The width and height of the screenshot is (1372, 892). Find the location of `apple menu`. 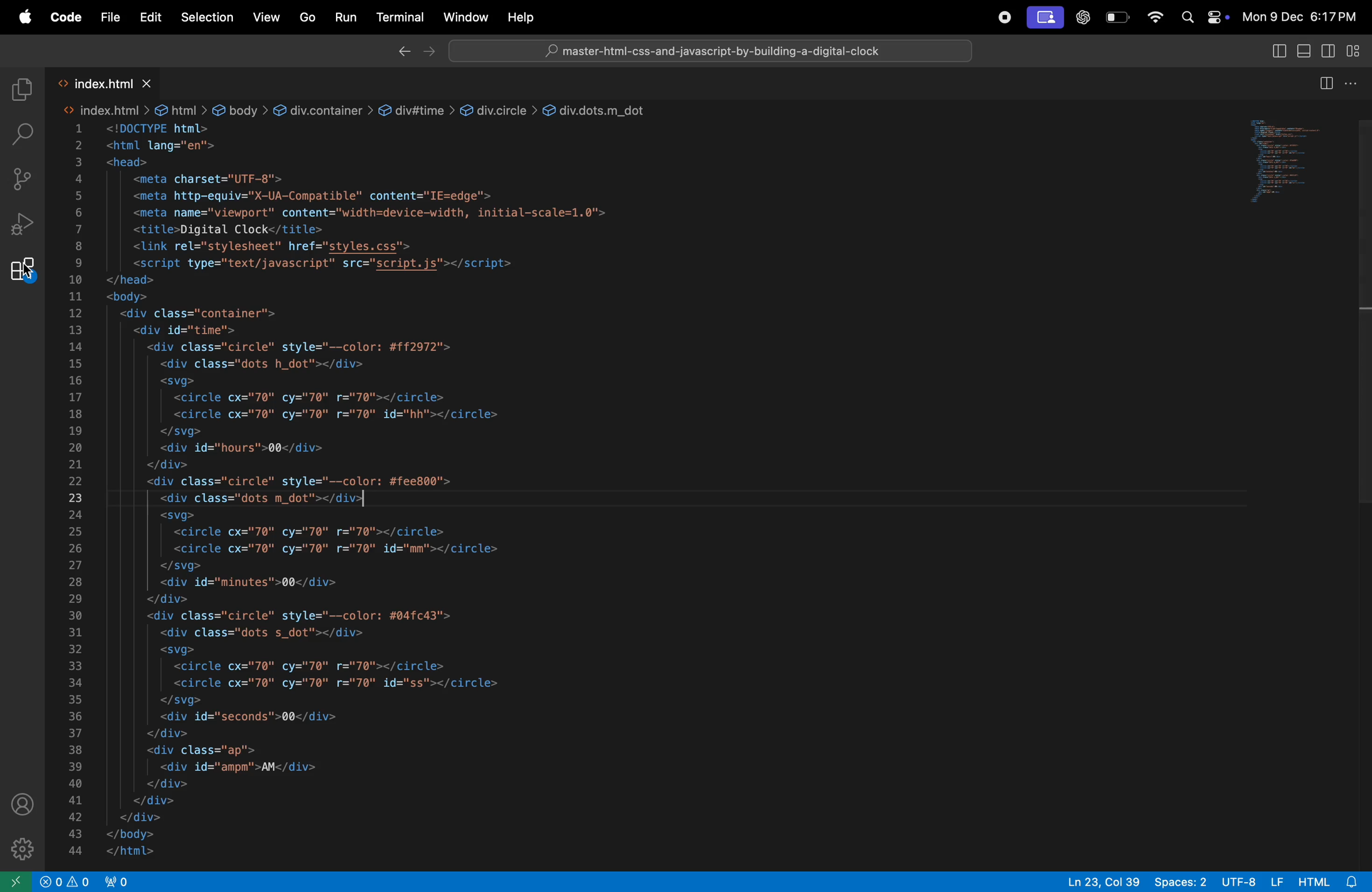

apple menu is located at coordinates (22, 14).